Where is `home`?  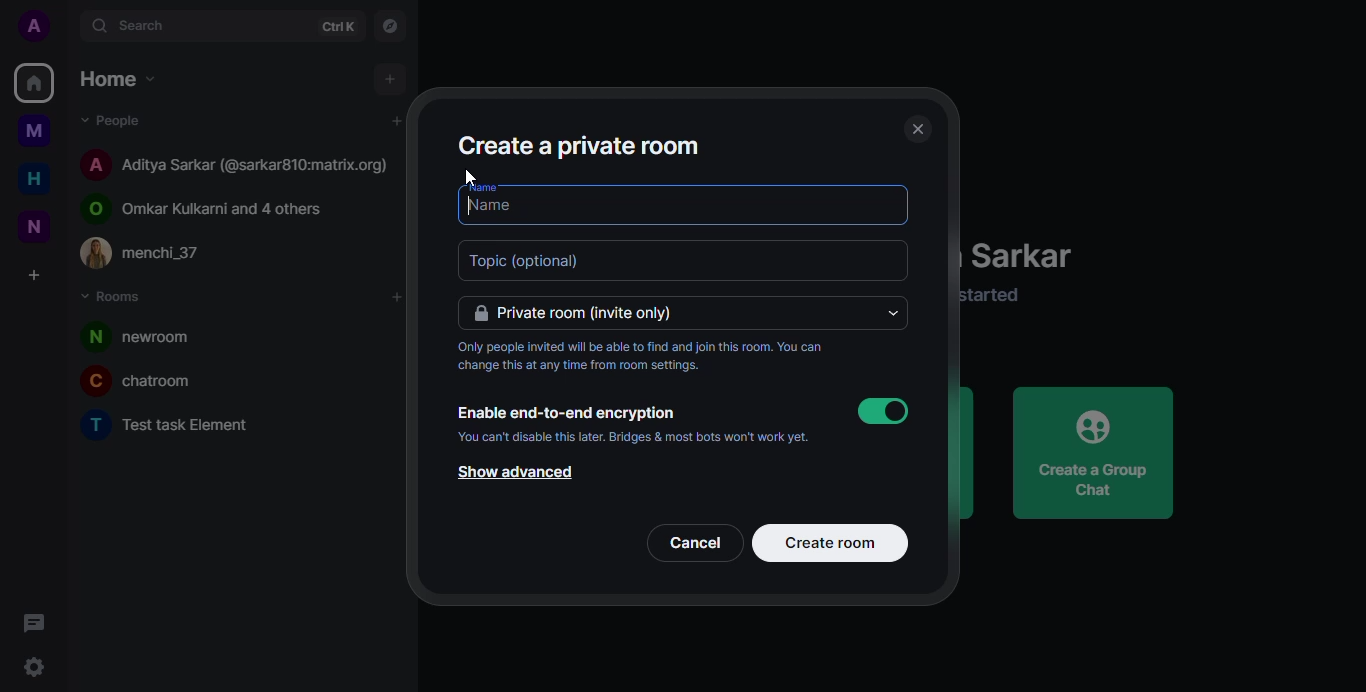
home is located at coordinates (34, 85).